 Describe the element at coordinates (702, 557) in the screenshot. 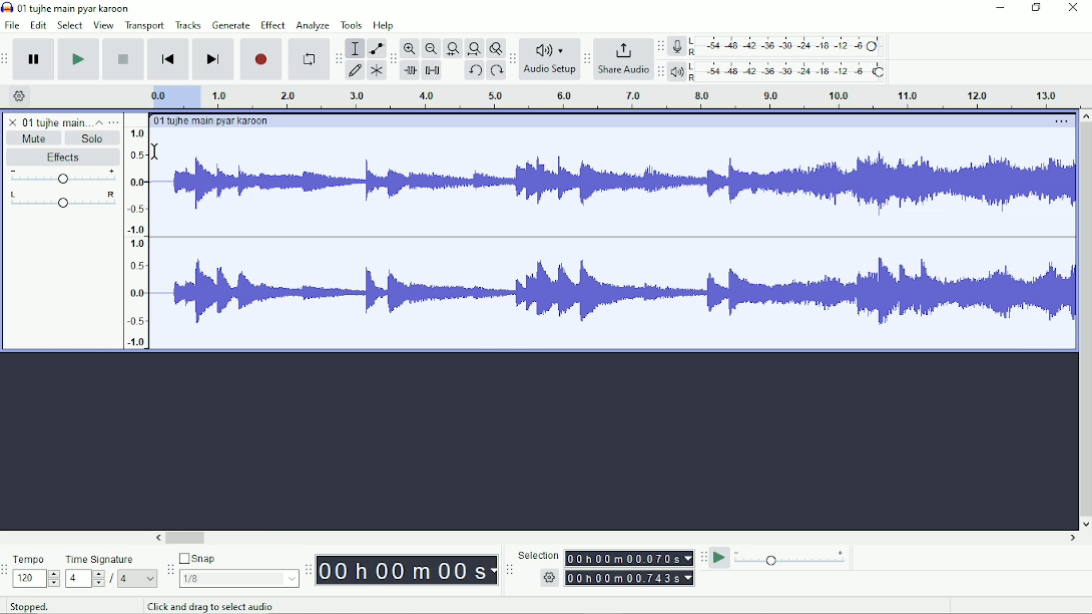

I see `Audacity play-at-speed toolbar` at that location.